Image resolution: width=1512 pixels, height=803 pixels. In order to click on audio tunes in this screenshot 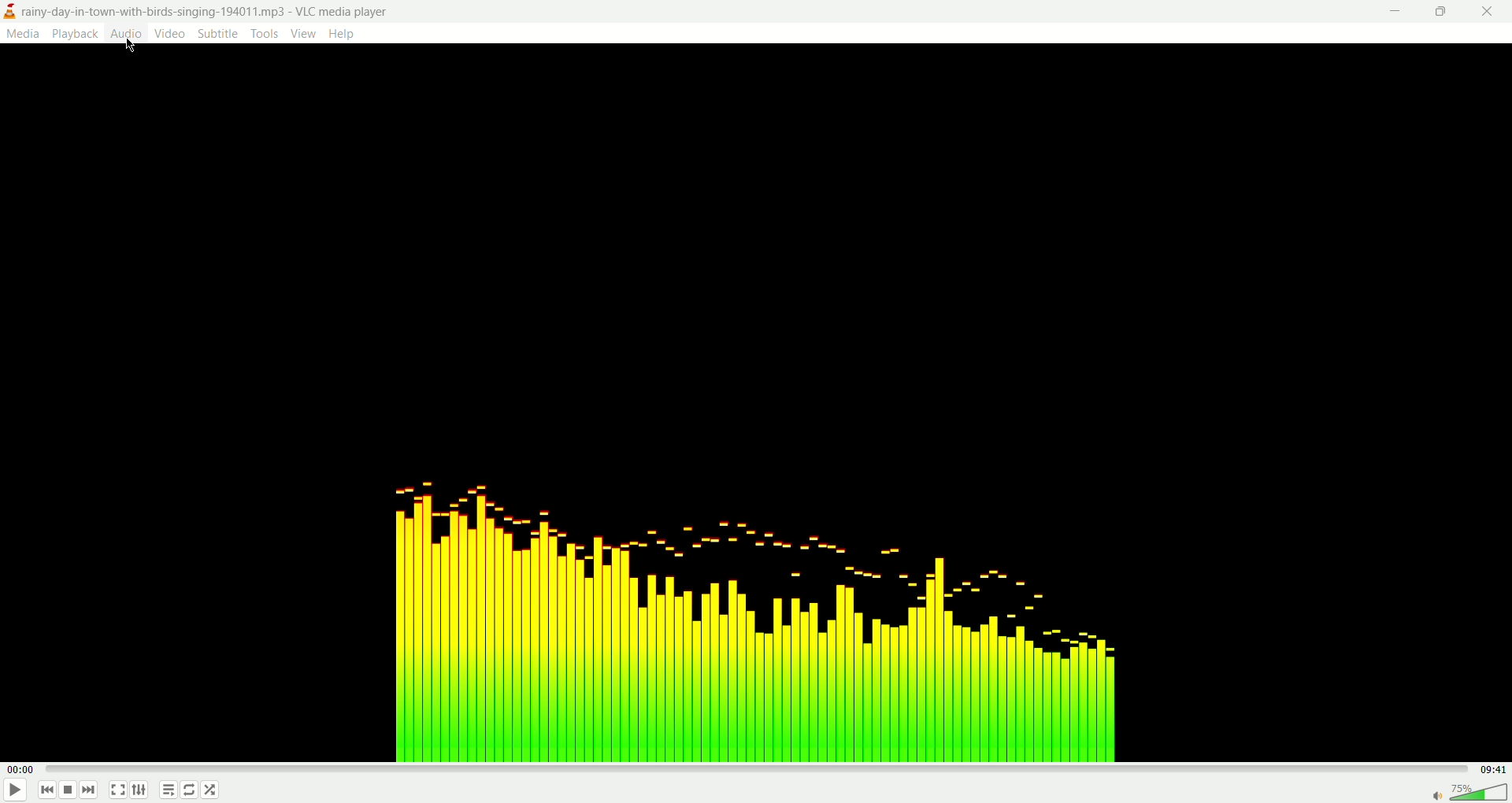, I will do `click(756, 607)`.